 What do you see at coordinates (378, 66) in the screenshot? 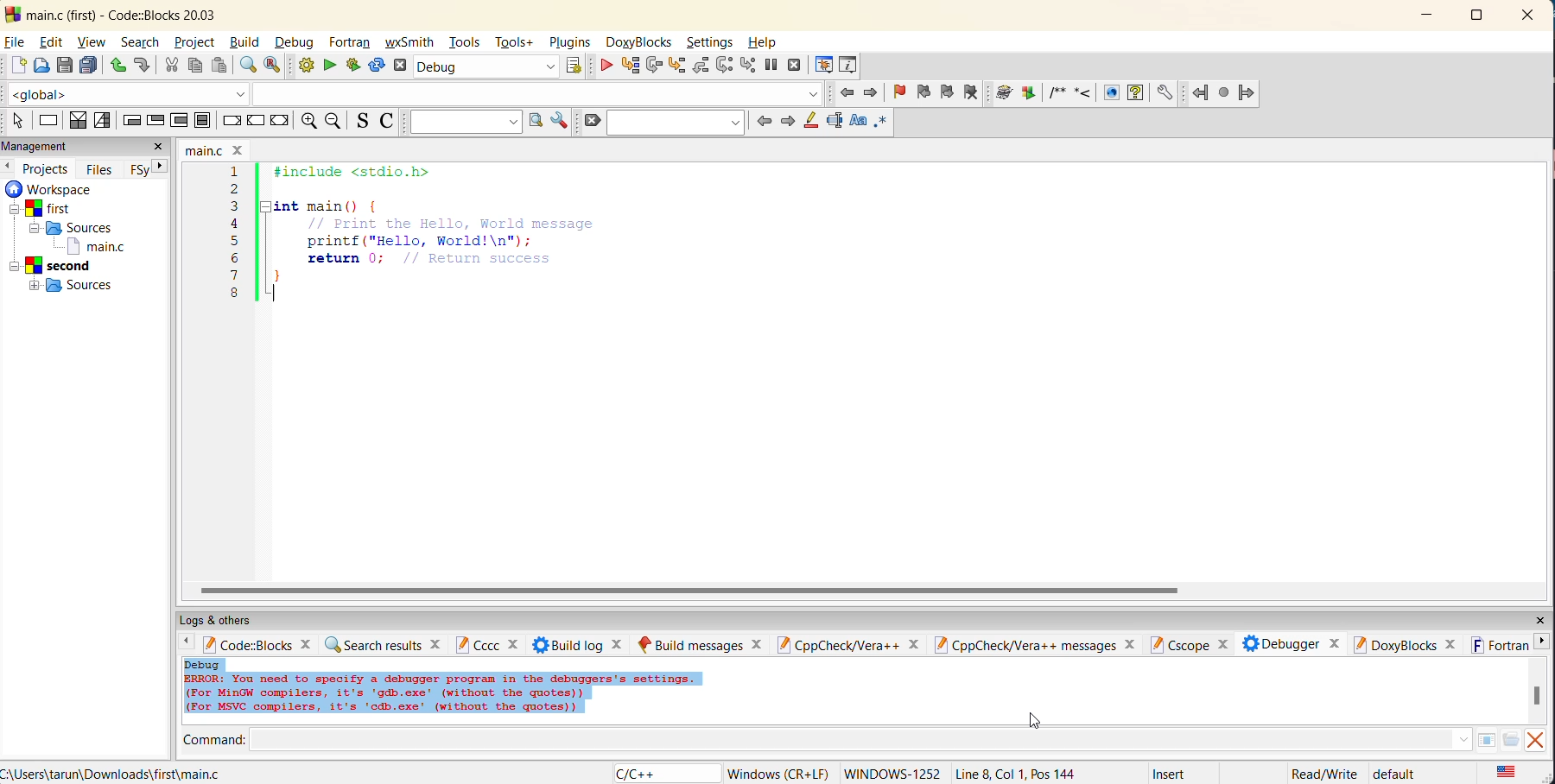
I see `rebuild` at bounding box center [378, 66].